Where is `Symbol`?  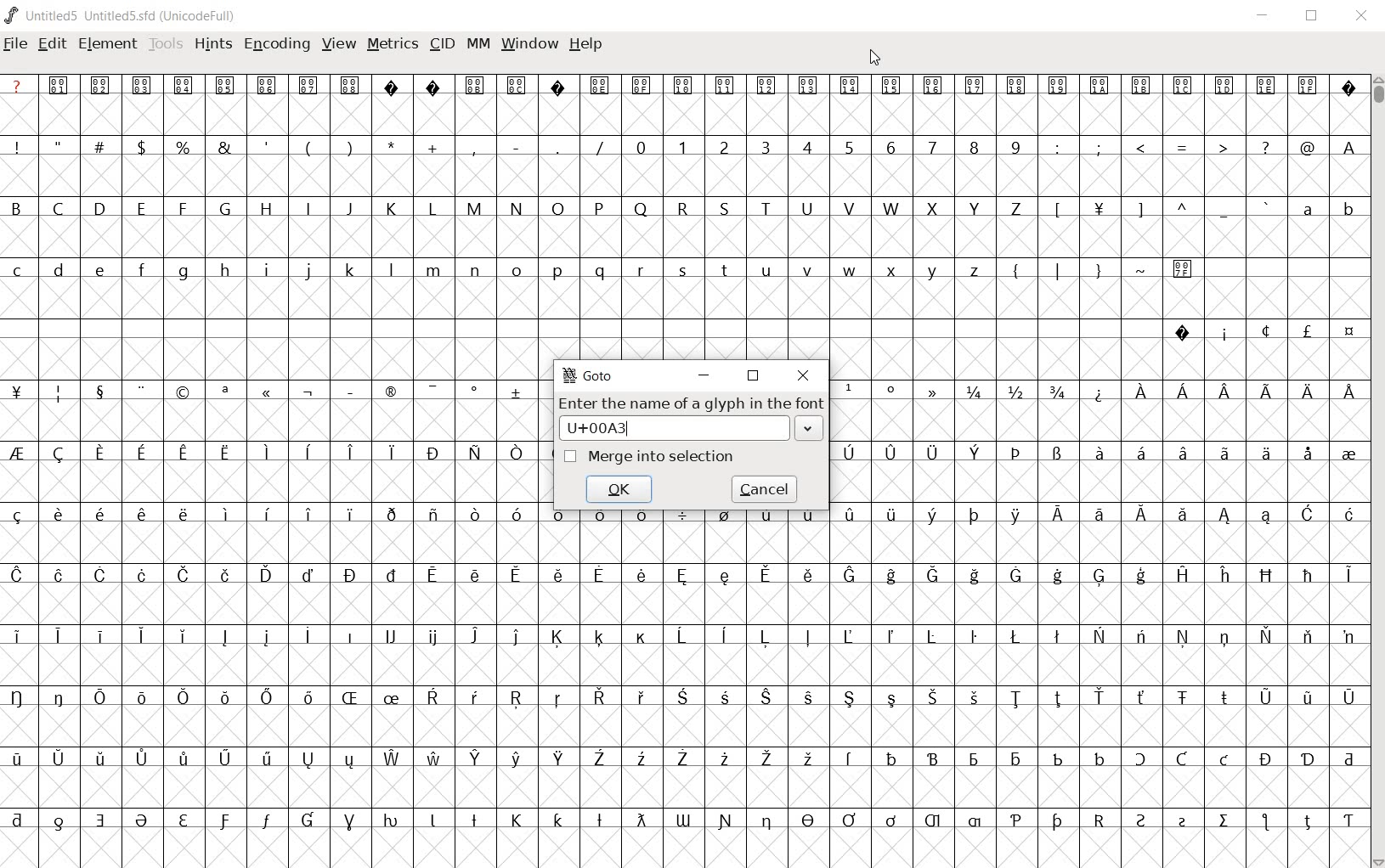
Symbol is located at coordinates (890, 451).